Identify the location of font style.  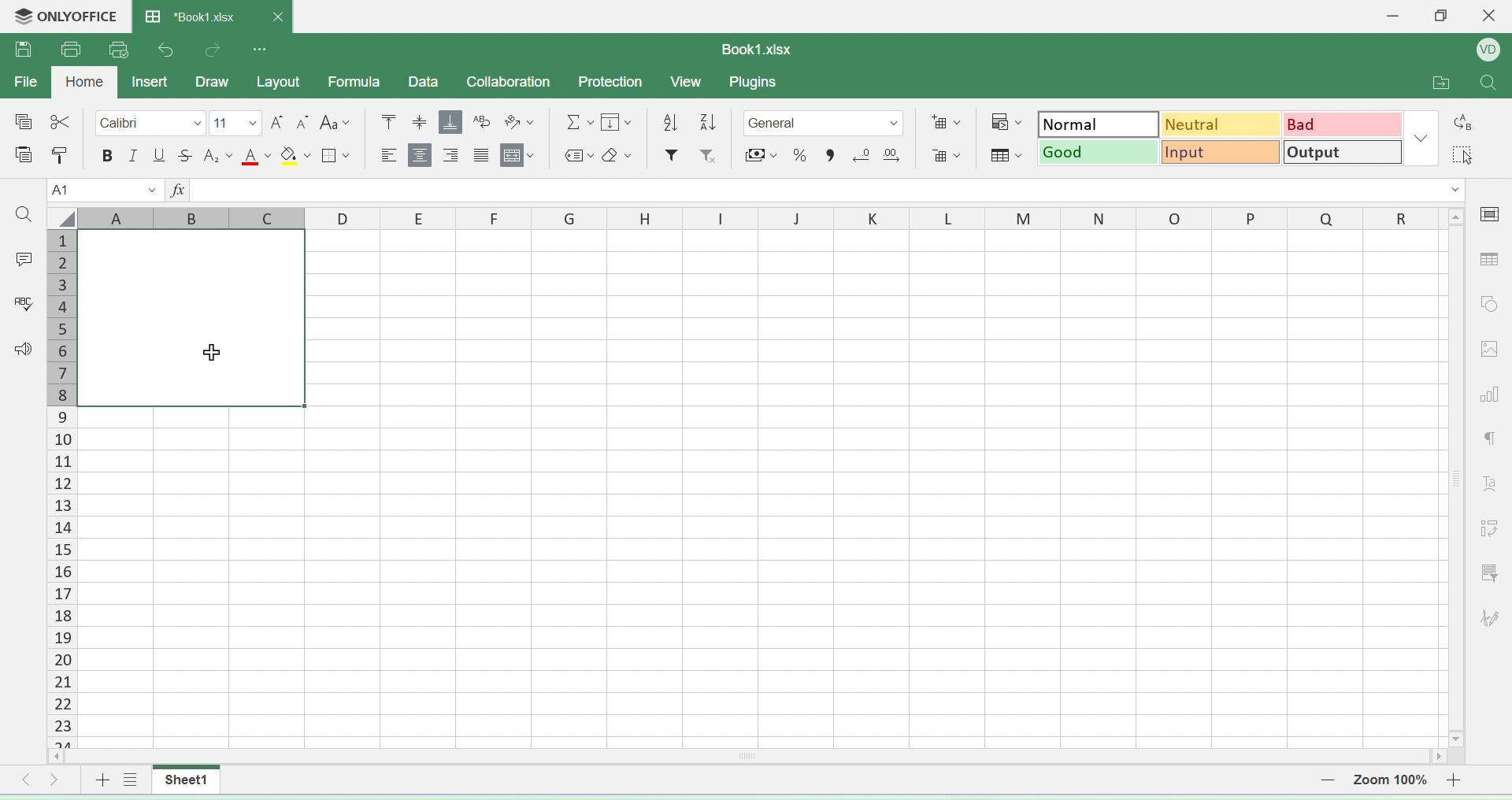
(1488, 487).